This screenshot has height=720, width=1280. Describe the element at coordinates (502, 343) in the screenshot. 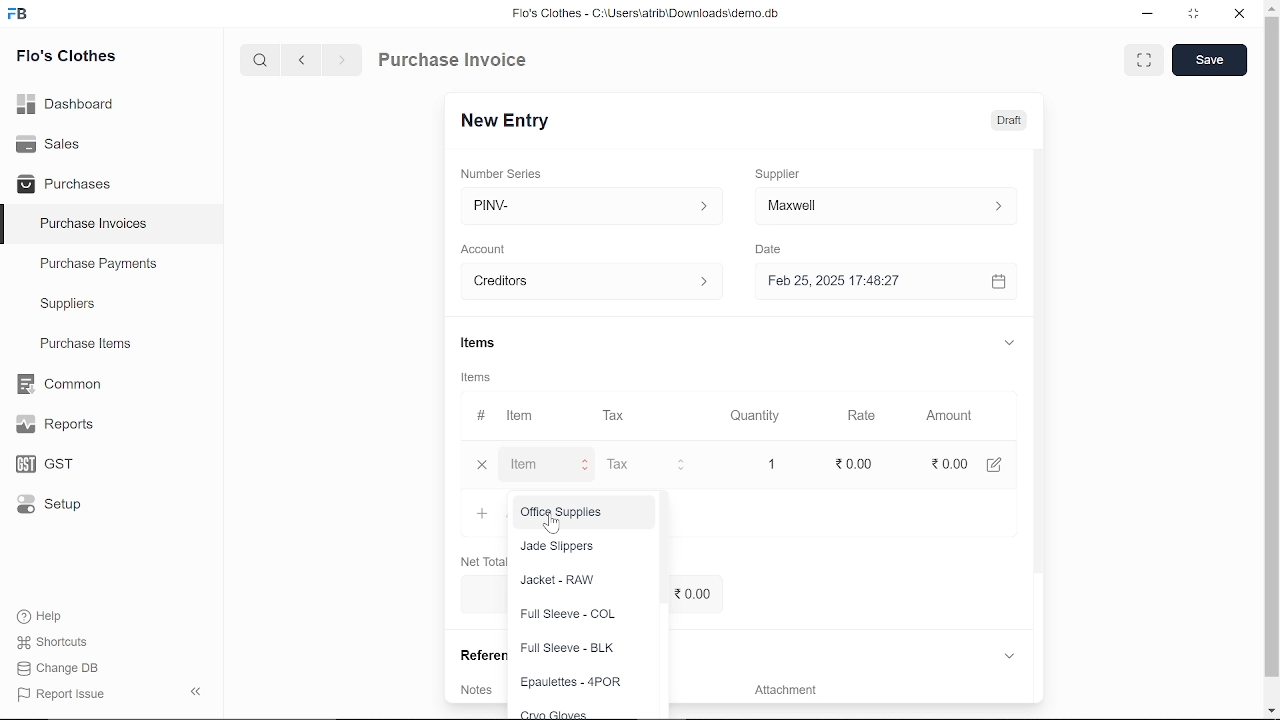

I see `Items` at that location.